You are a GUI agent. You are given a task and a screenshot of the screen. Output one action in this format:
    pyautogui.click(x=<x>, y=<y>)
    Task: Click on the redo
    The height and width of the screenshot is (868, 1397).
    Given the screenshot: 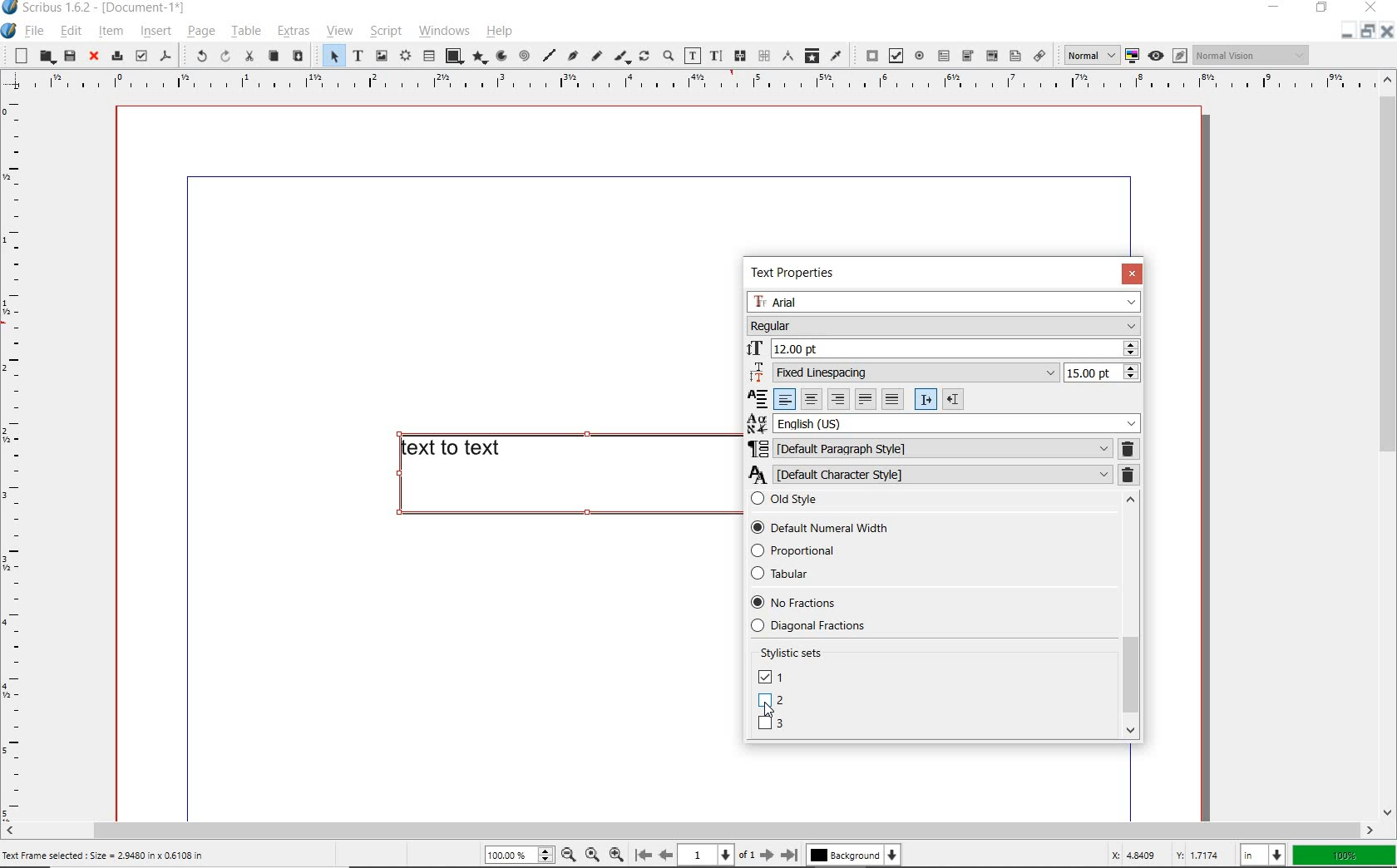 What is the action you would take?
    pyautogui.click(x=224, y=56)
    